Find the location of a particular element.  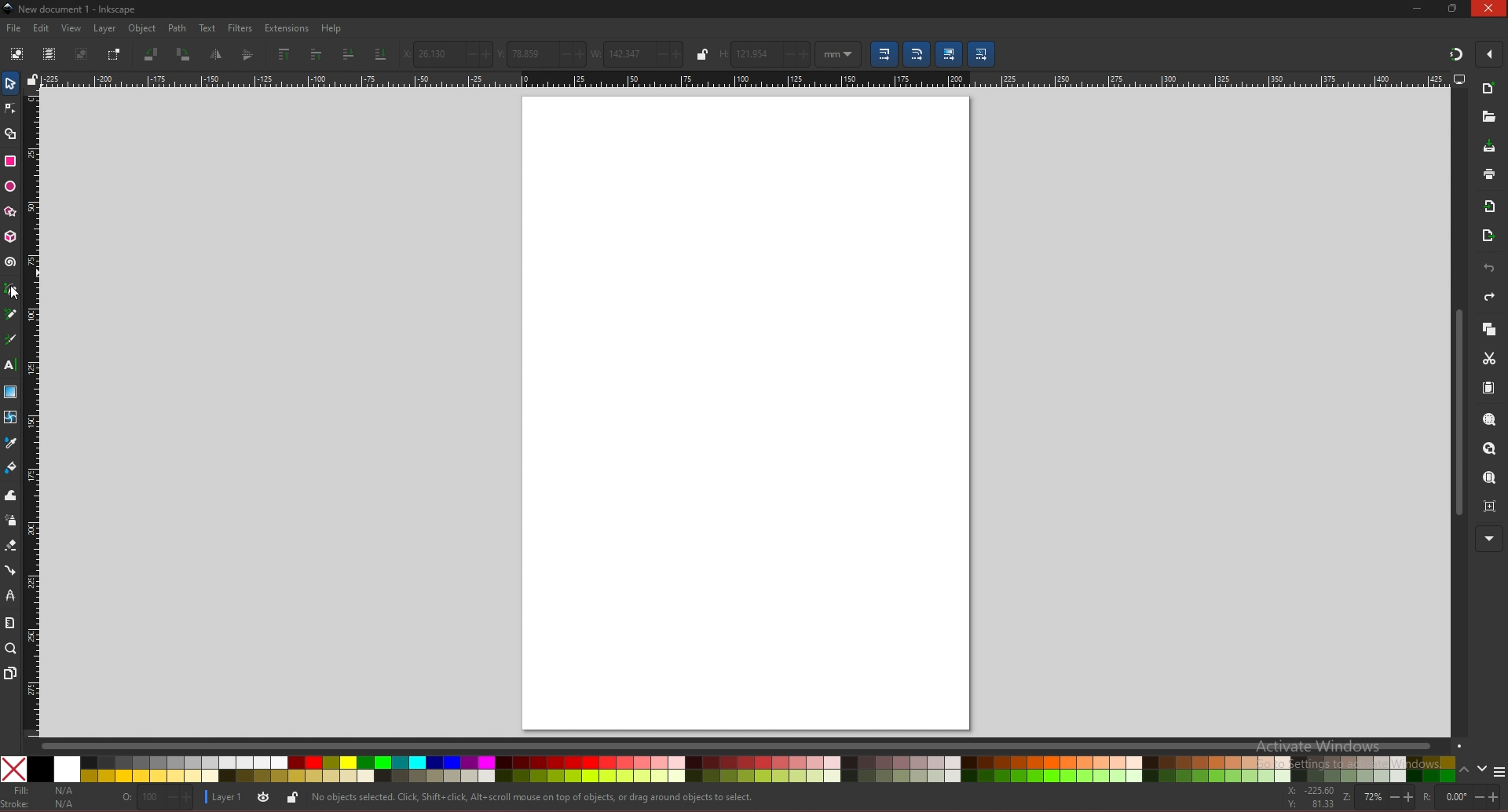

up is located at coordinates (1465, 772).